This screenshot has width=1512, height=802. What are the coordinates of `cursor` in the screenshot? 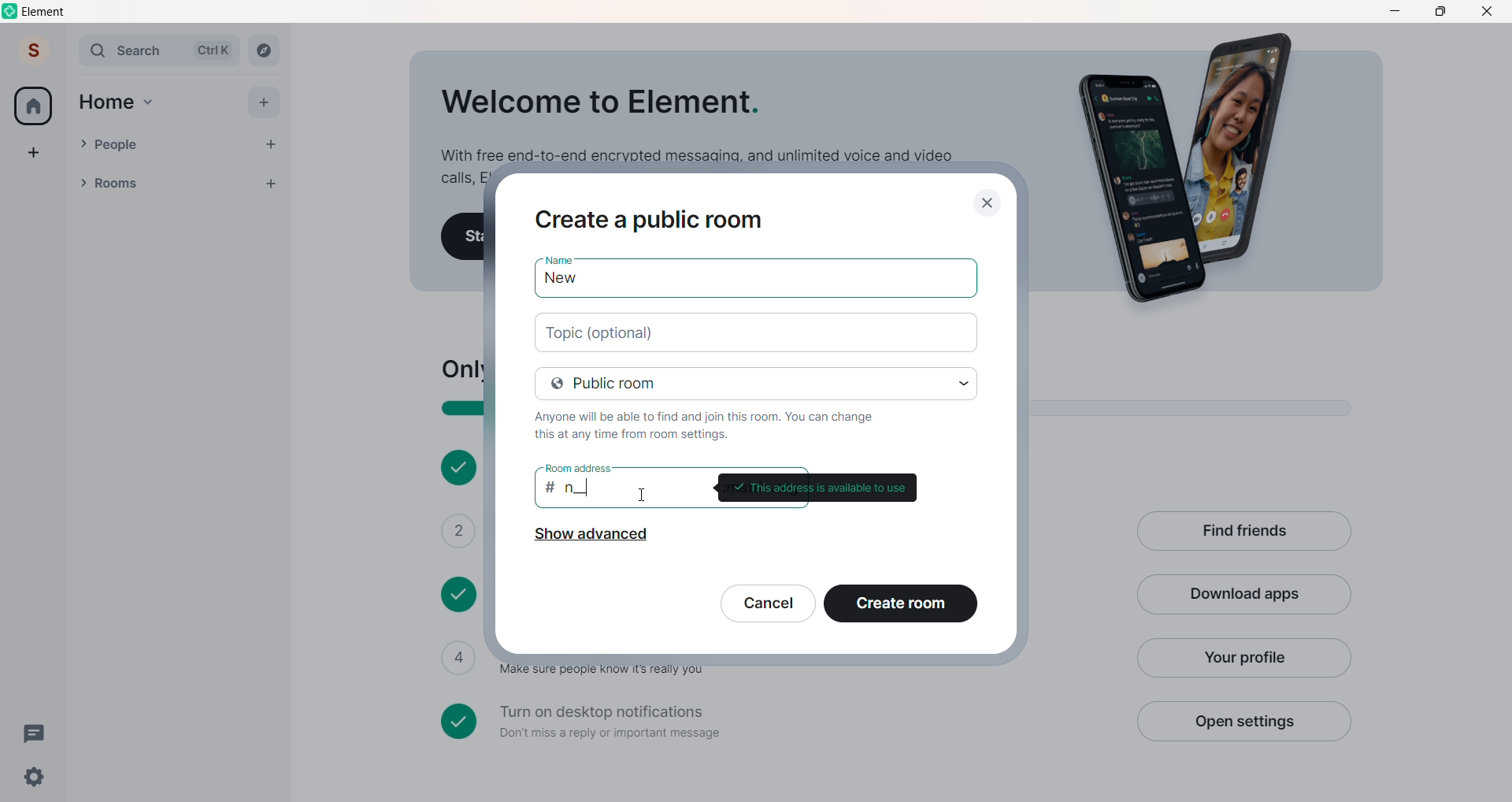 It's located at (644, 494).